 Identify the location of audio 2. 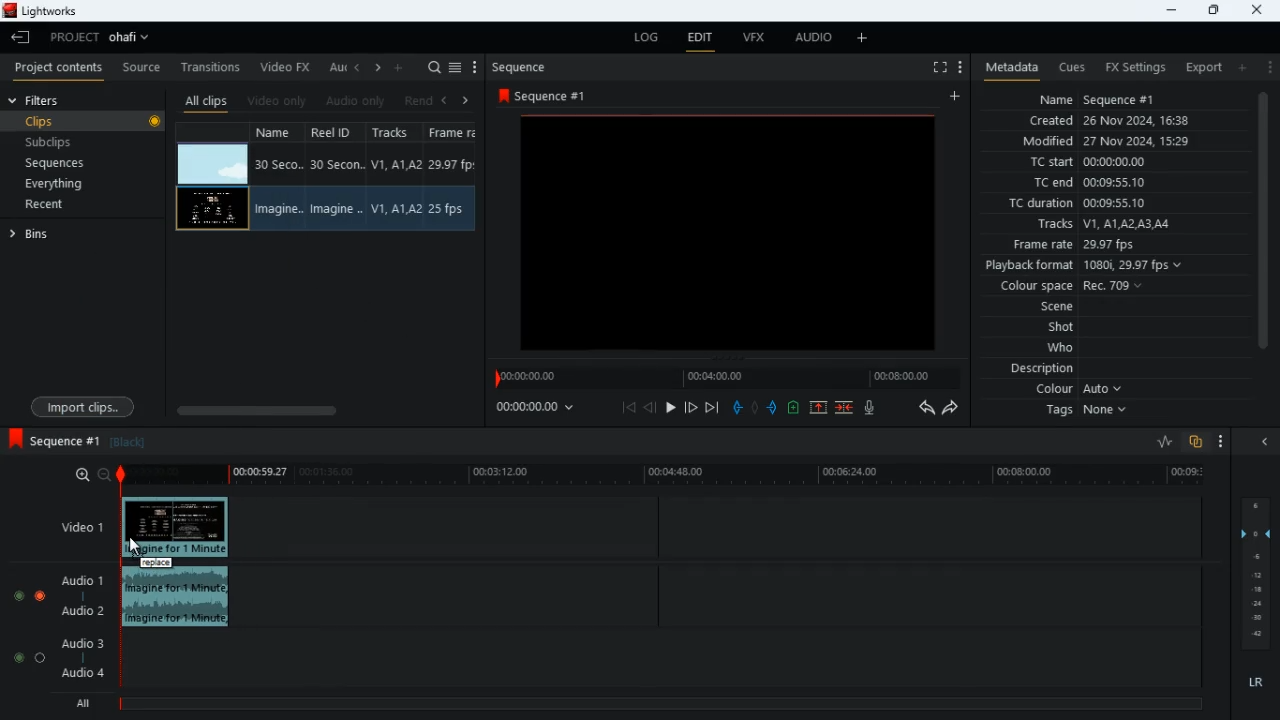
(78, 613).